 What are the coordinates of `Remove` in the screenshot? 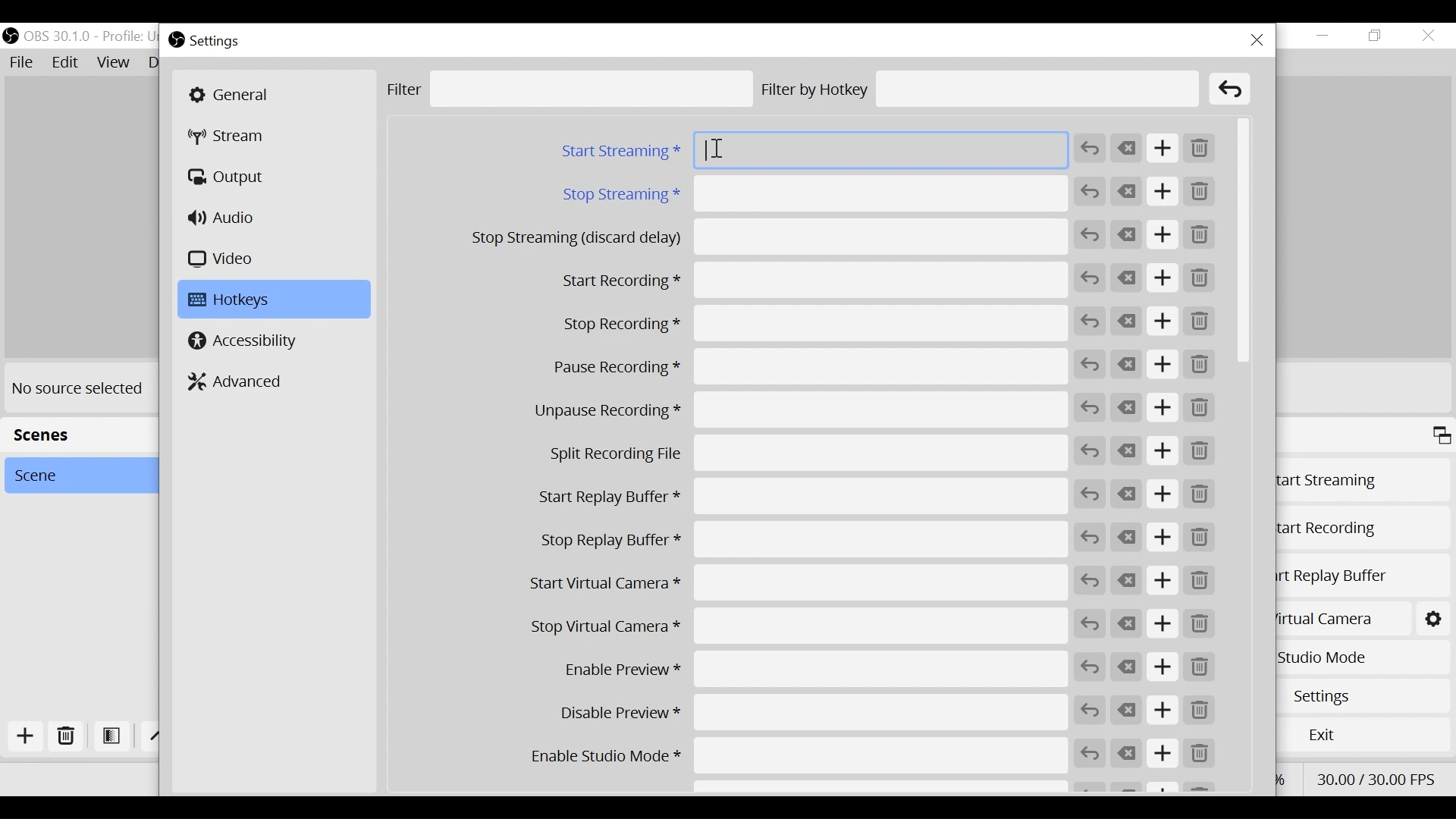 It's located at (1200, 670).